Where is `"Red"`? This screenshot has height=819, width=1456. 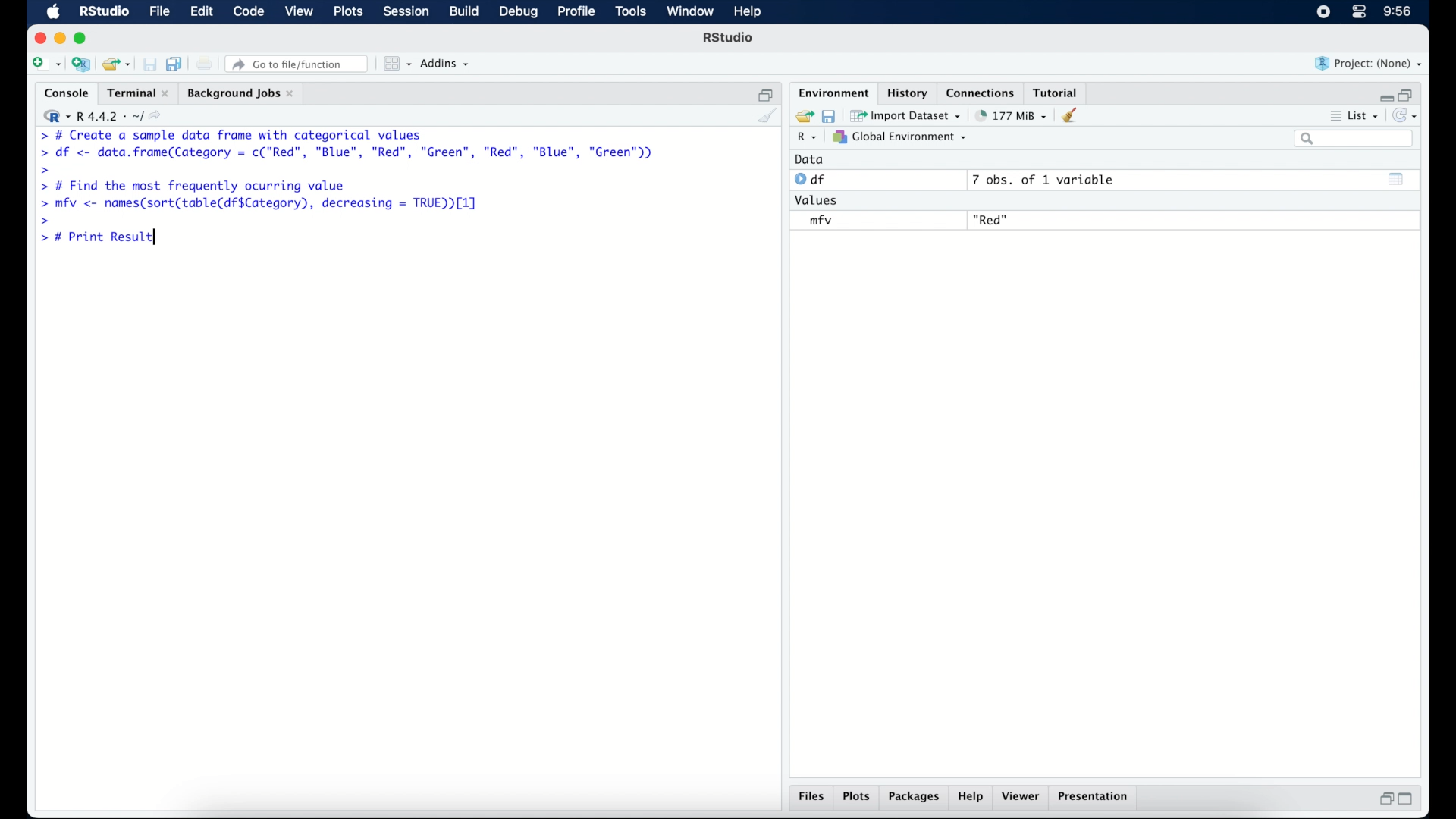 "Red" is located at coordinates (992, 218).